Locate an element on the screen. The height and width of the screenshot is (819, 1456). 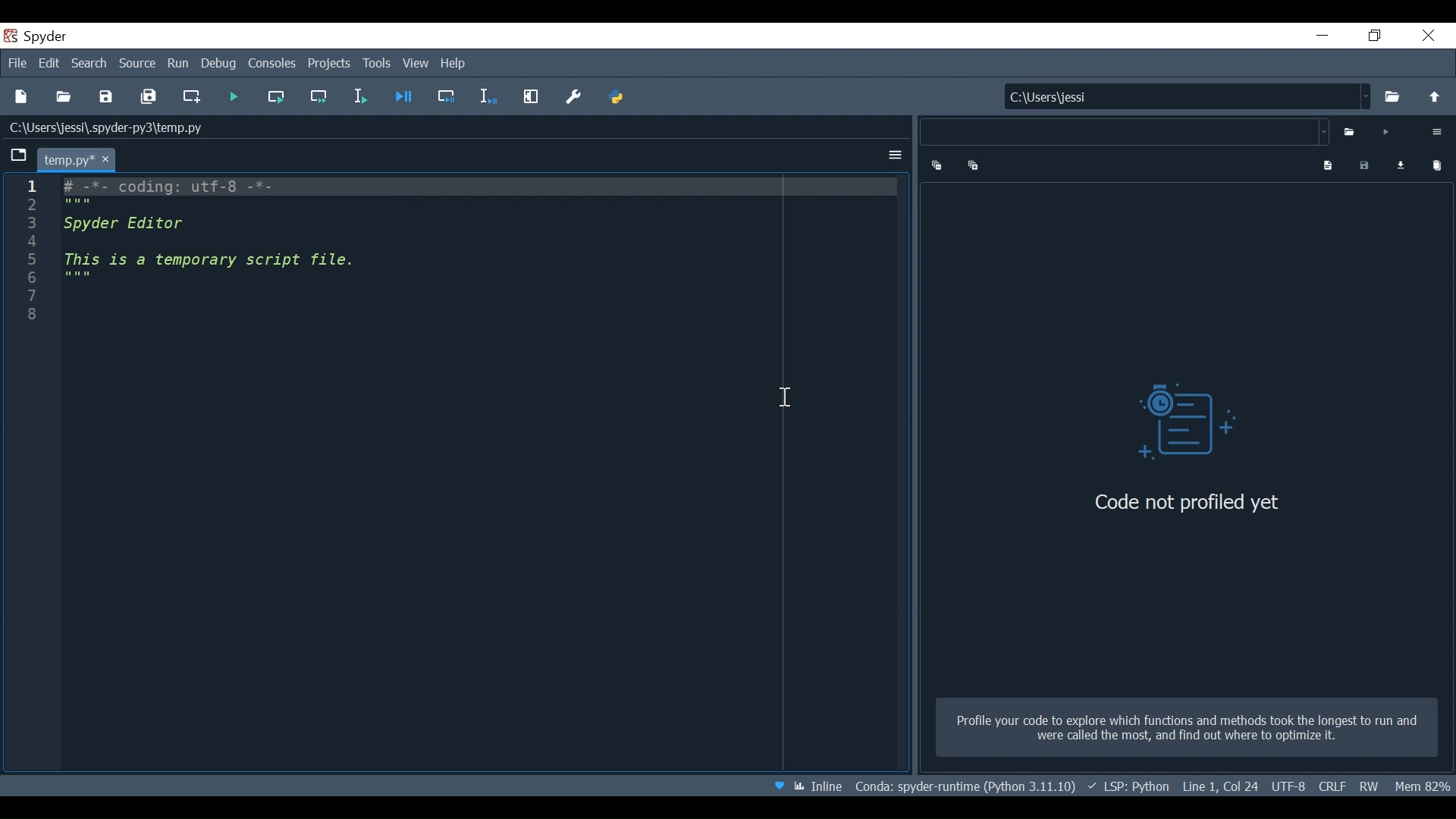
File name is located at coordinates (1123, 132).